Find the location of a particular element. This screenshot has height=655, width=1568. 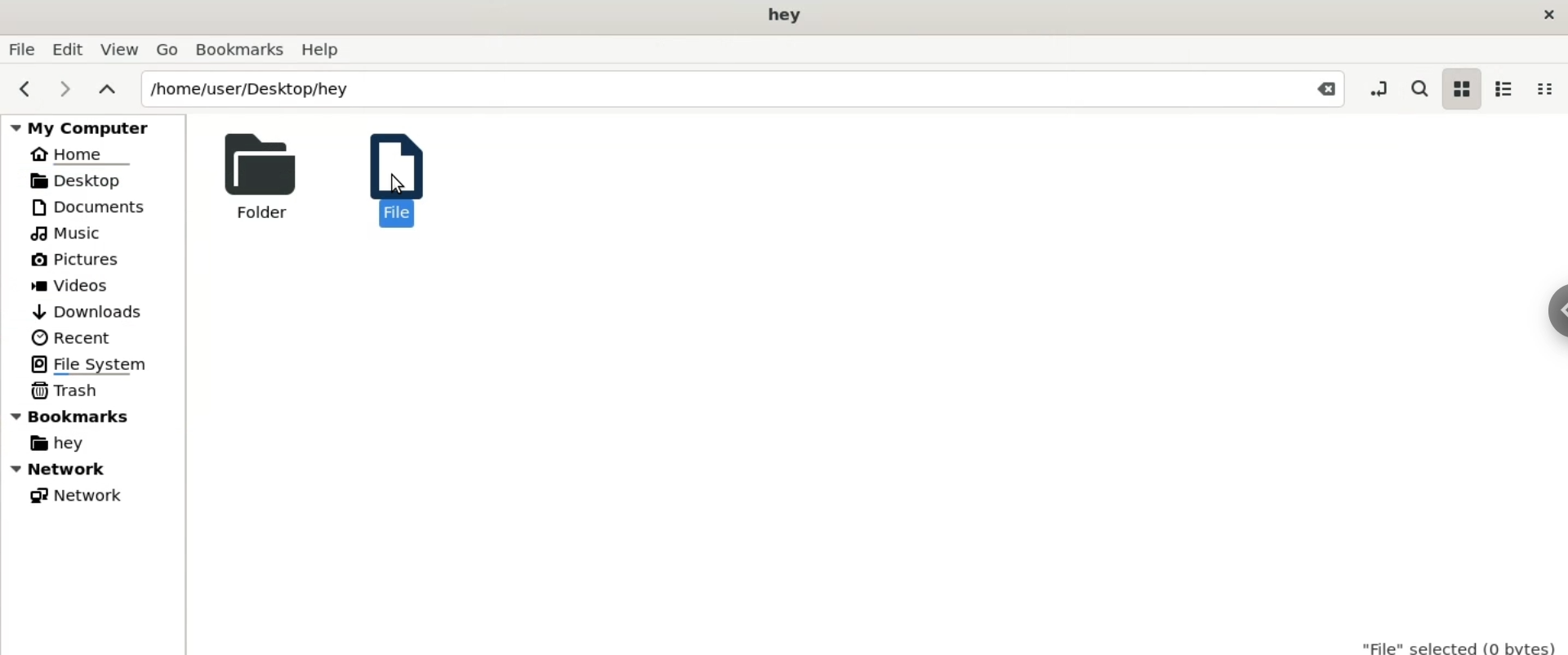

network is located at coordinates (97, 471).